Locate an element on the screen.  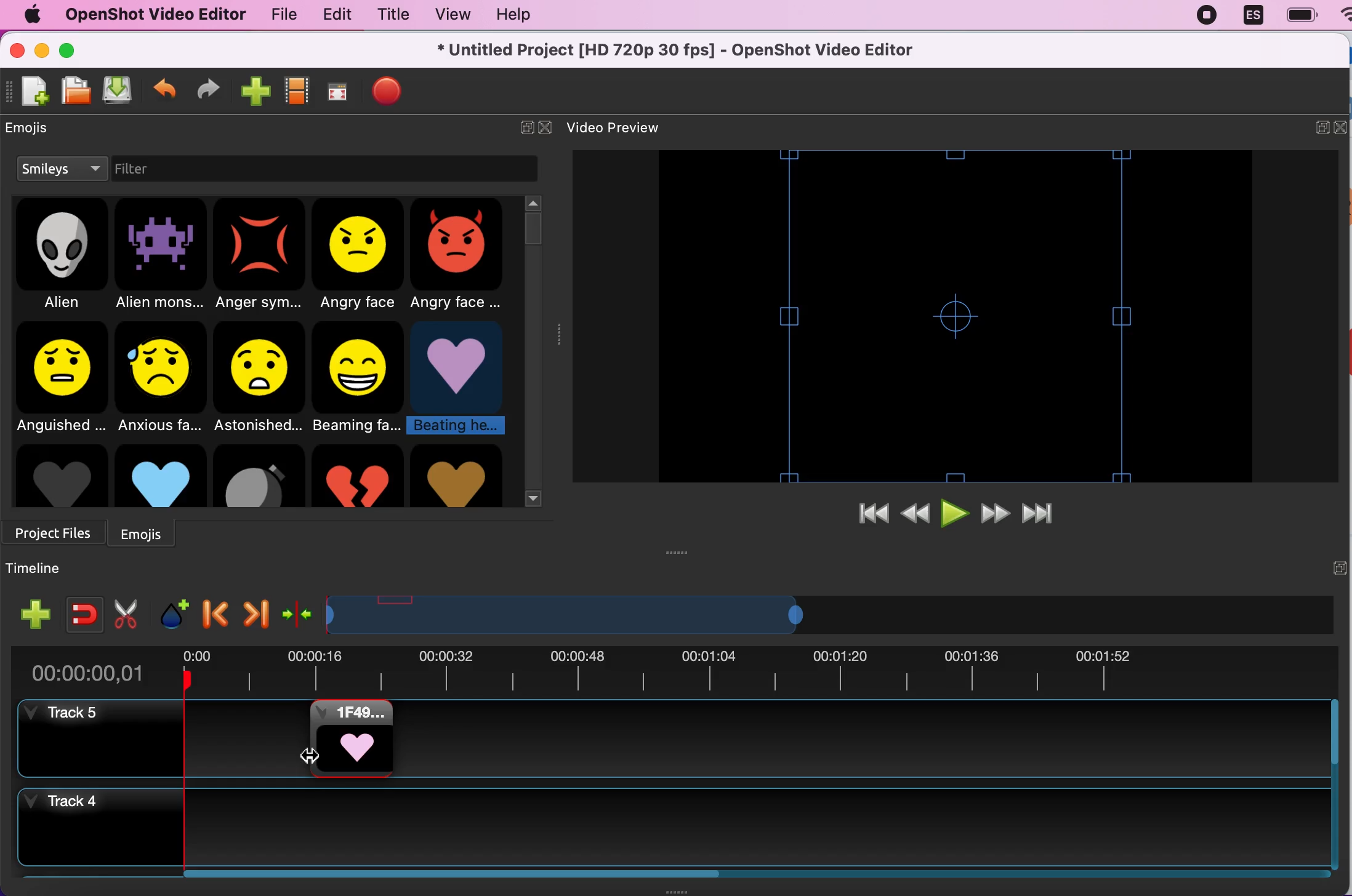
expand/hide is located at coordinates (519, 126).